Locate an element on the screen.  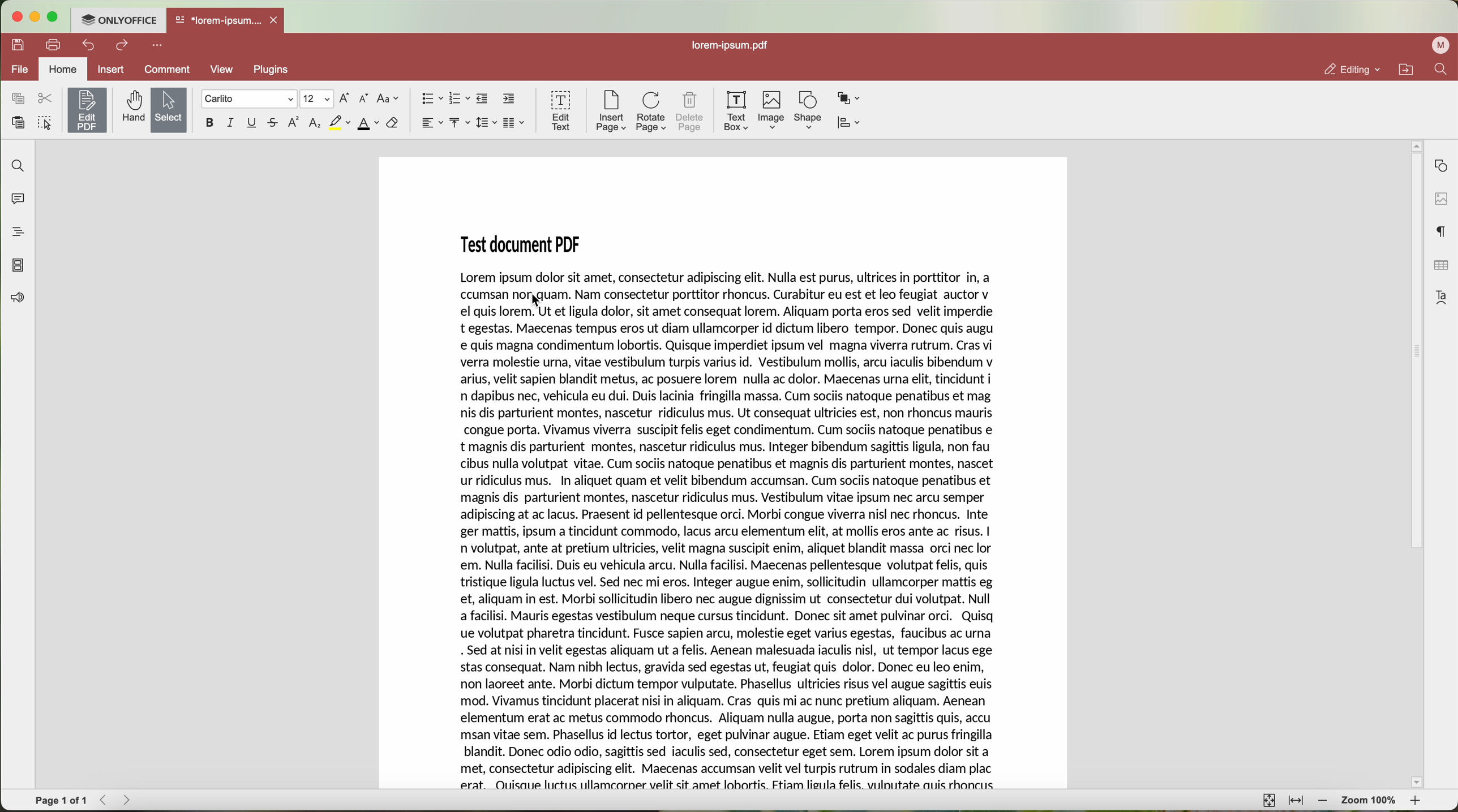
navigate arrows is located at coordinates (113, 801).